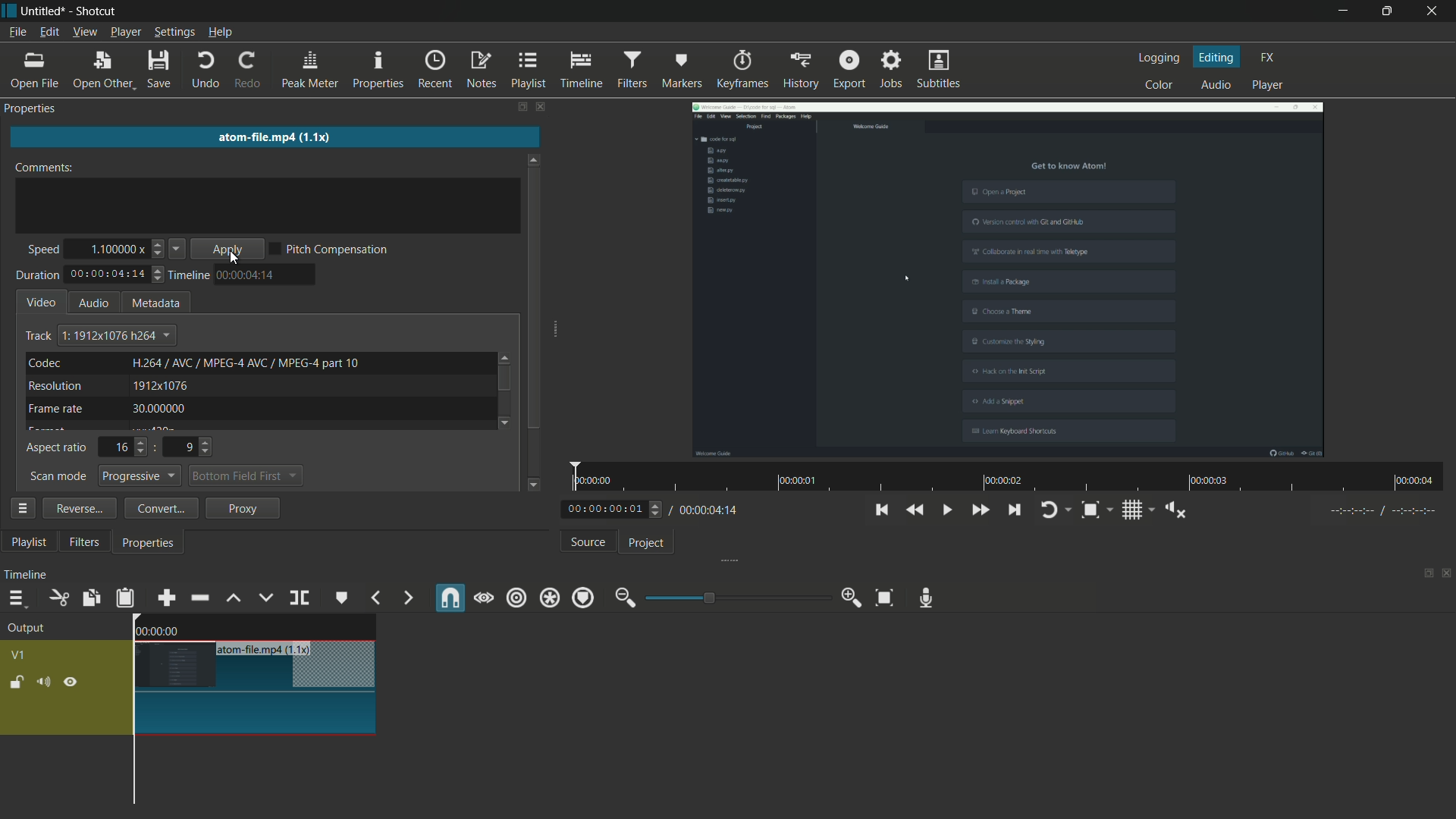 Image resolution: width=1456 pixels, height=819 pixels. Describe the element at coordinates (337, 251) in the screenshot. I see `pitch compensation` at that location.